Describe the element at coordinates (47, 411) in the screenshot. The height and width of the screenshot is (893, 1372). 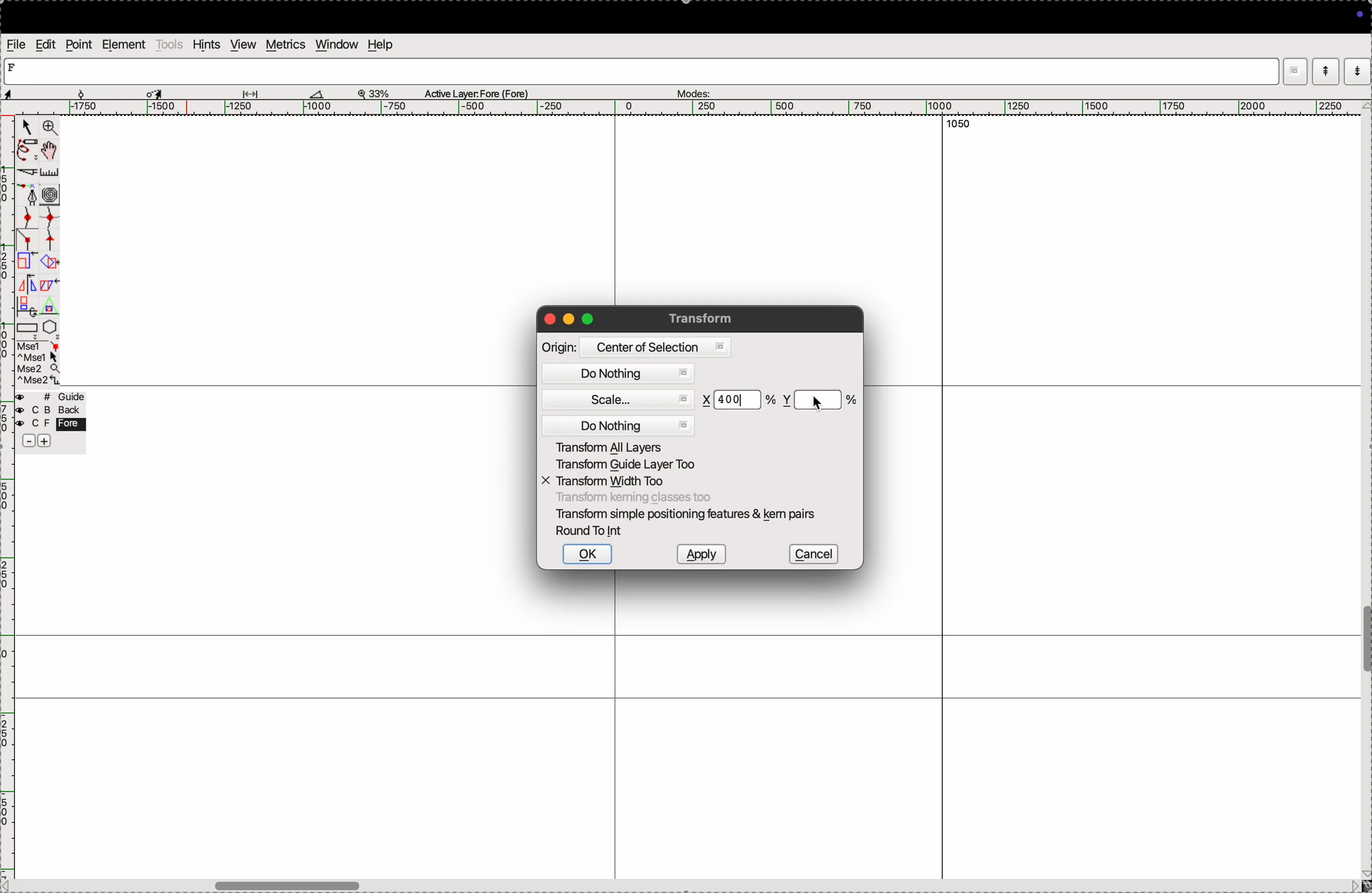
I see `blacj` at that location.